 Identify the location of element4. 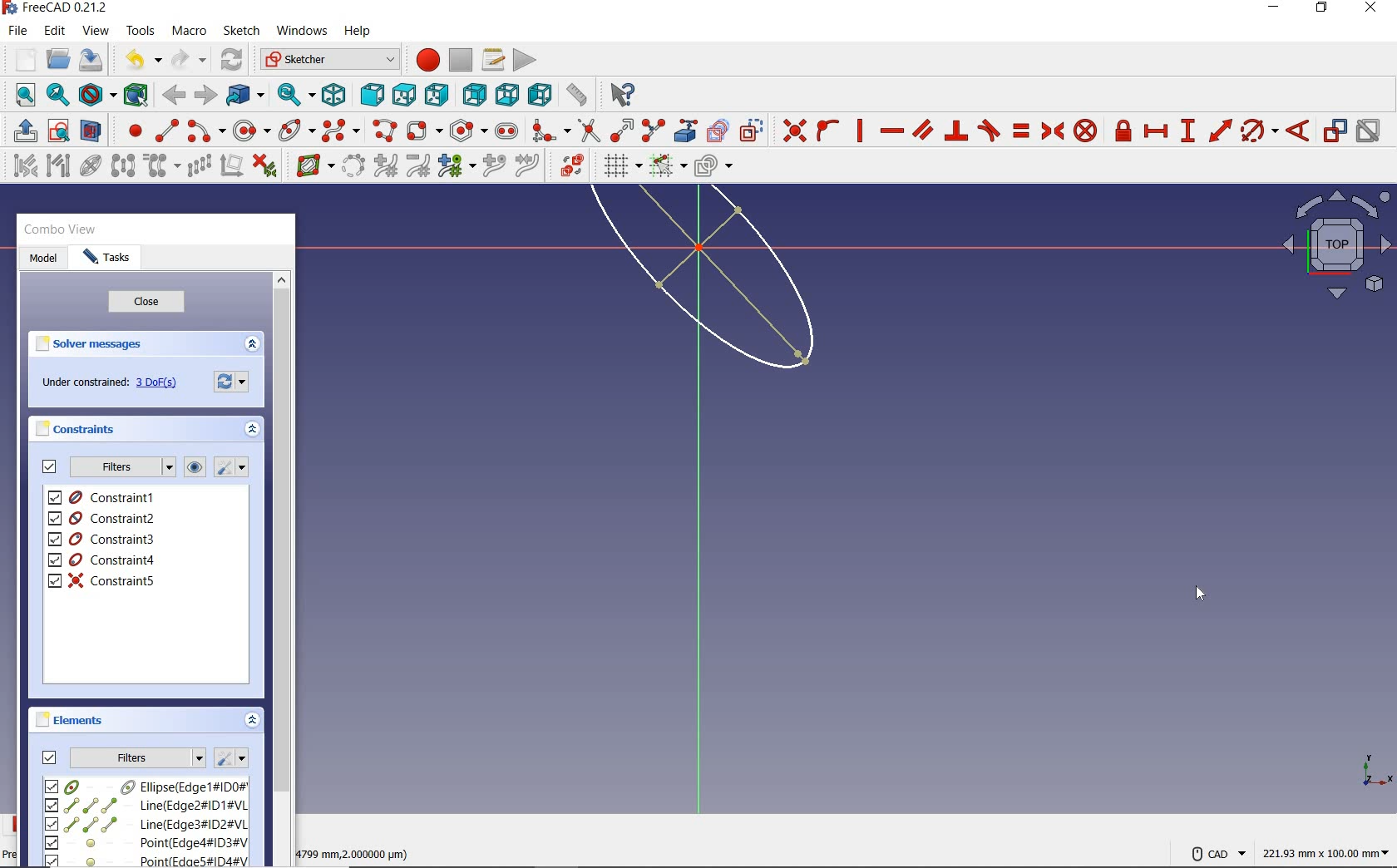
(146, 842).